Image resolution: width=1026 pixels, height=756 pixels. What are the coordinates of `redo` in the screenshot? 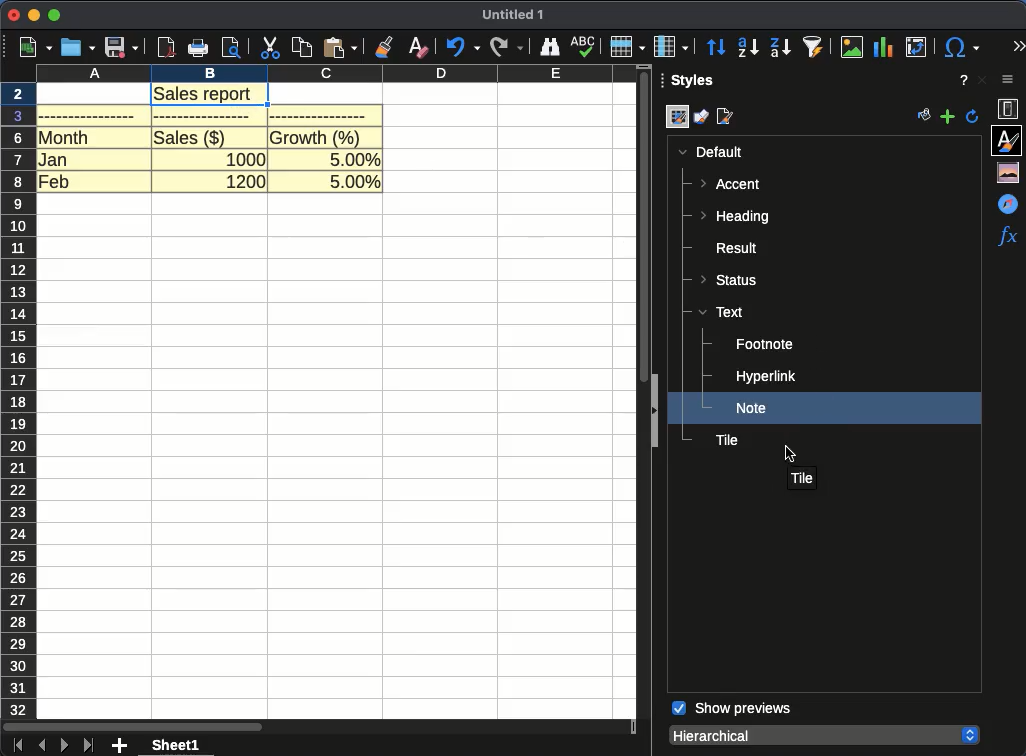 It's located at (507, 48).